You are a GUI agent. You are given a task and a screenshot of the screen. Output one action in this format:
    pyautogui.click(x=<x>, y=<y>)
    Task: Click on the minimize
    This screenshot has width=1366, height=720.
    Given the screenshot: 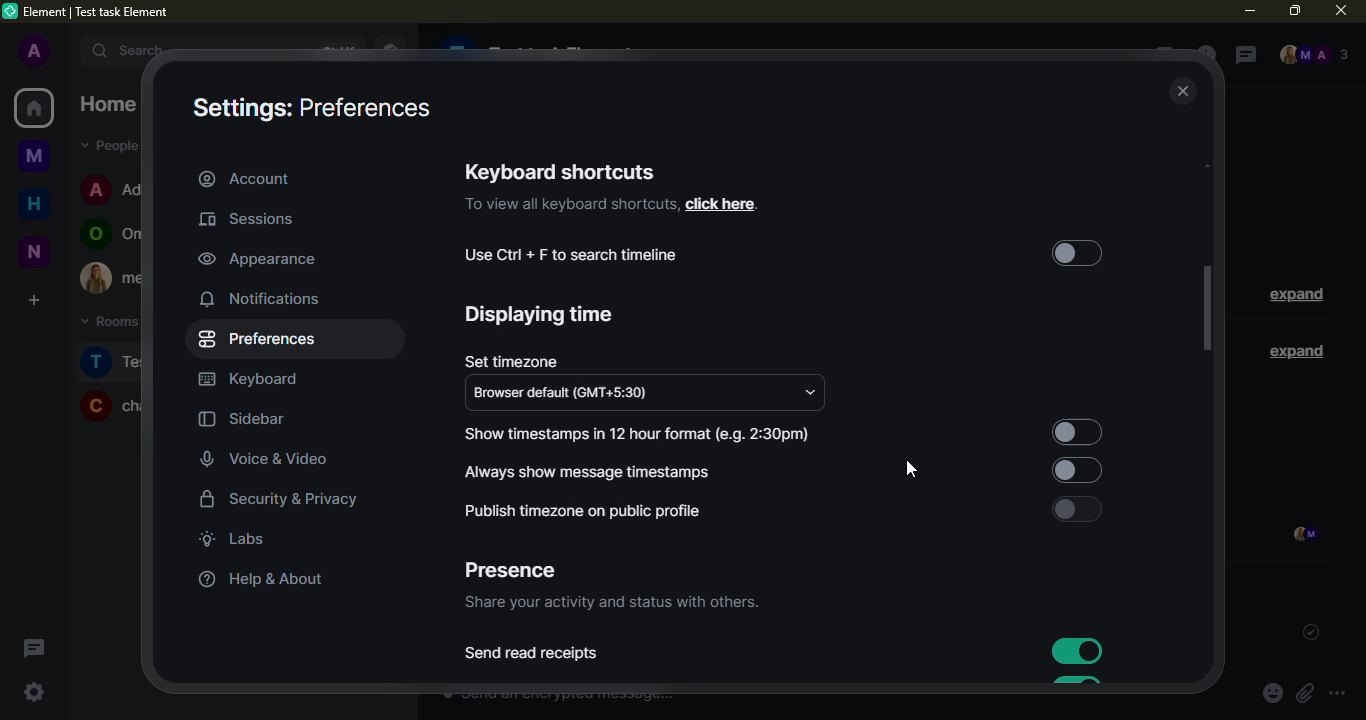 What is the action you would take?
    pyautogui.click(x=1249, y=11)
    